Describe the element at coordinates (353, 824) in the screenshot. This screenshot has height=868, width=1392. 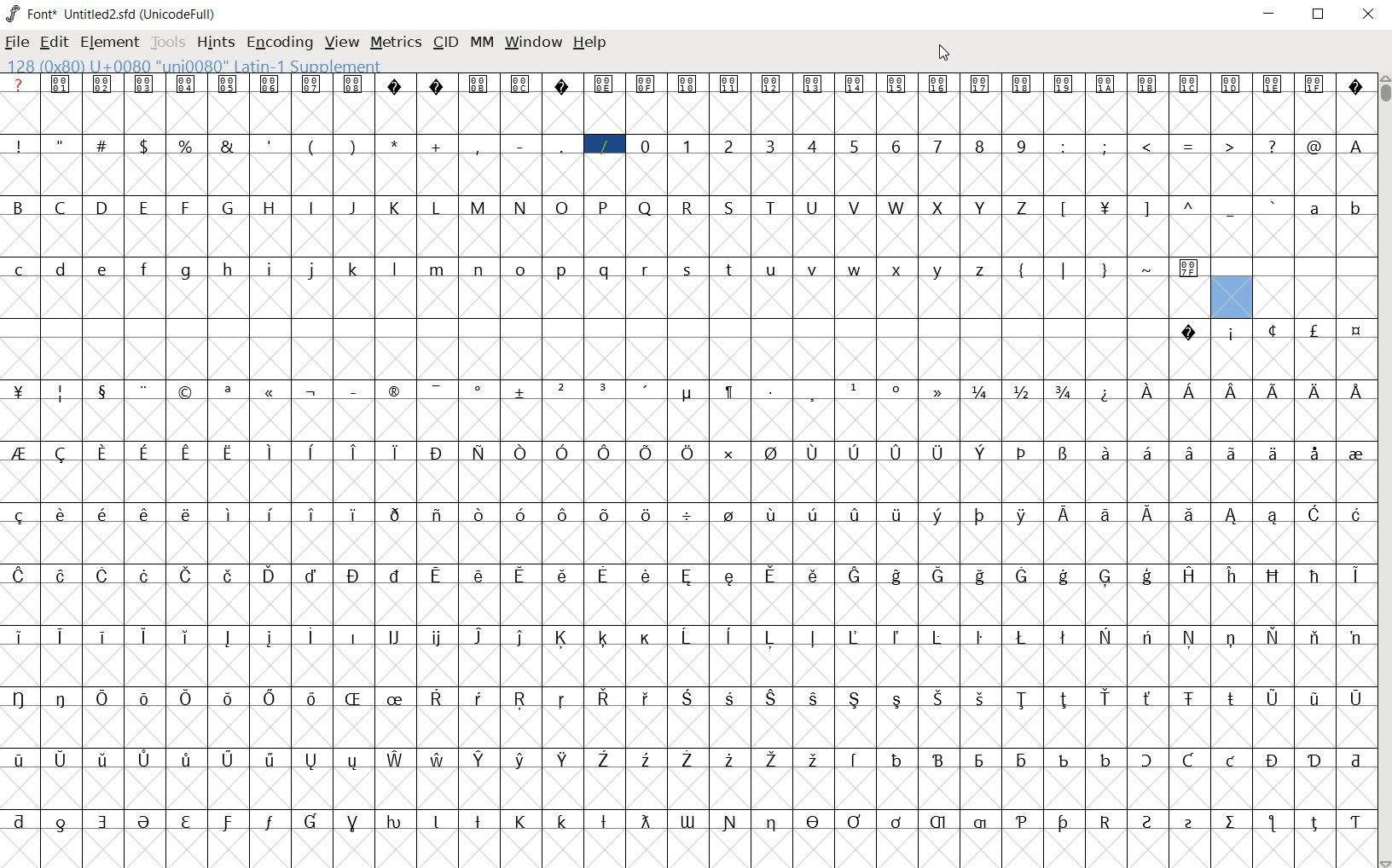
I see `glyph` at that location.